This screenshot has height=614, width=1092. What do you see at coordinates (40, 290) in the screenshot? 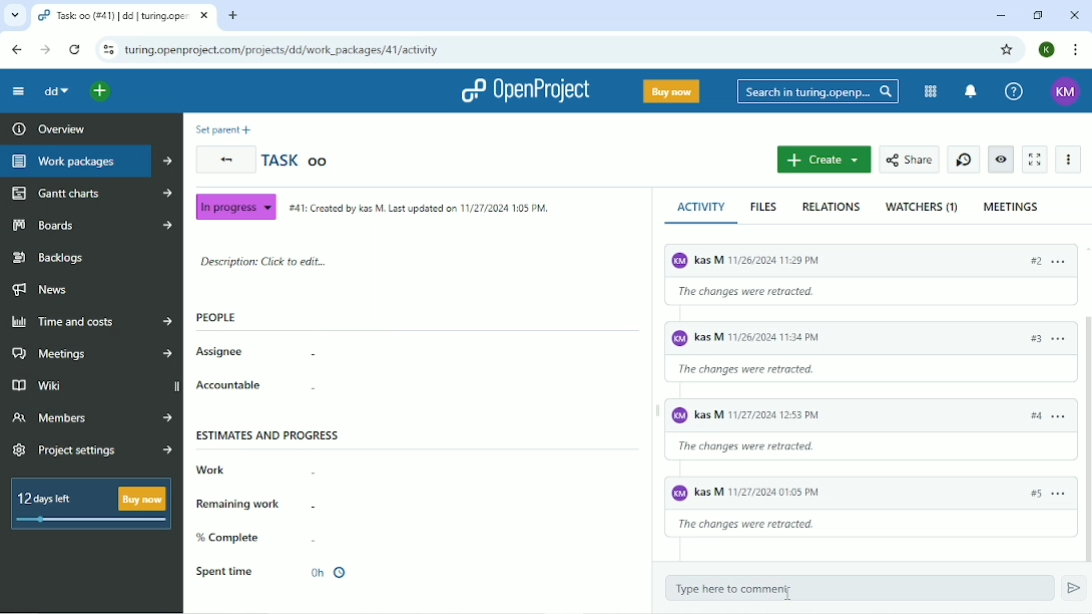
I see `News` at bounding box center [40, 290].